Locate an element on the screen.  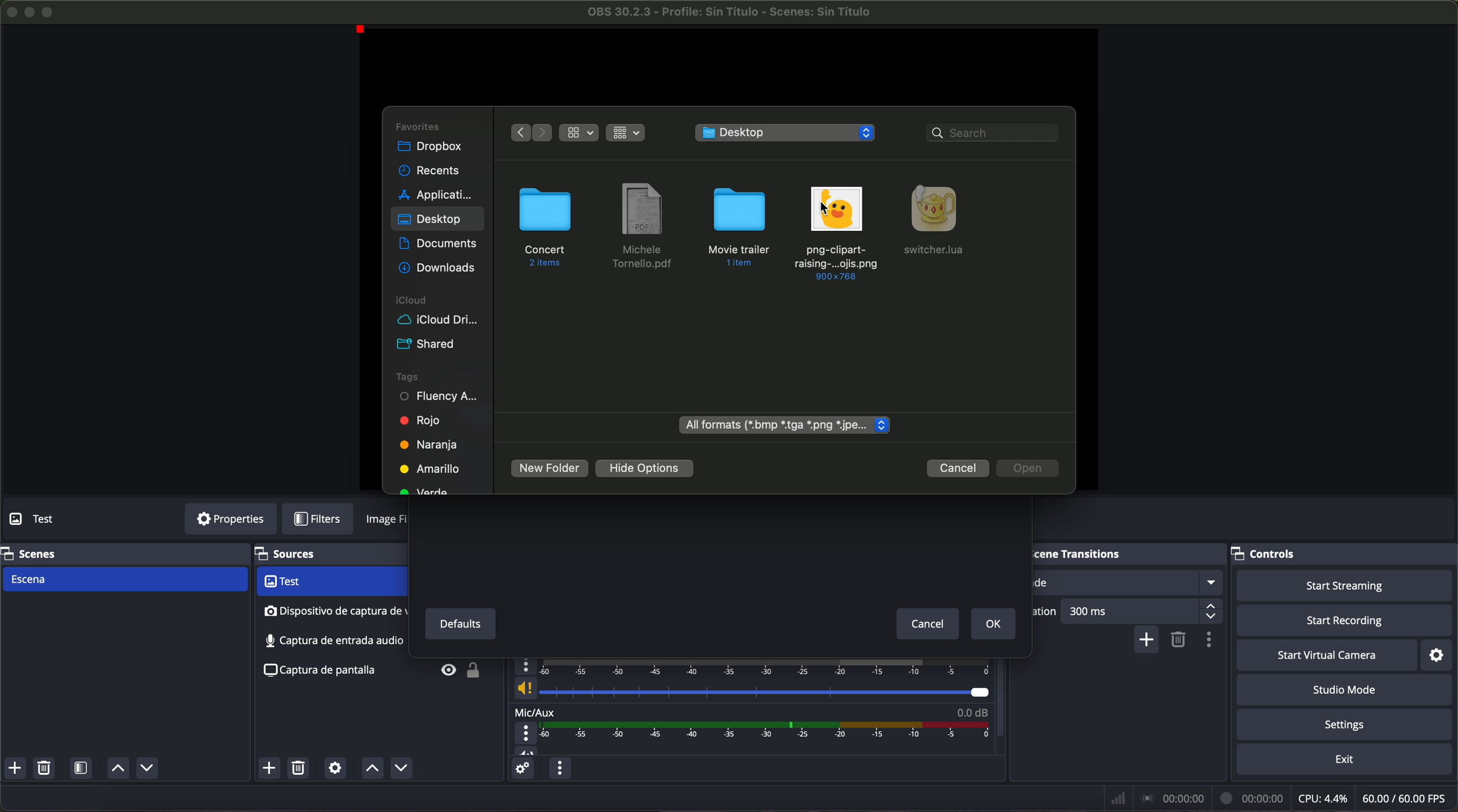
yellow is located at coordinates (428, 468).